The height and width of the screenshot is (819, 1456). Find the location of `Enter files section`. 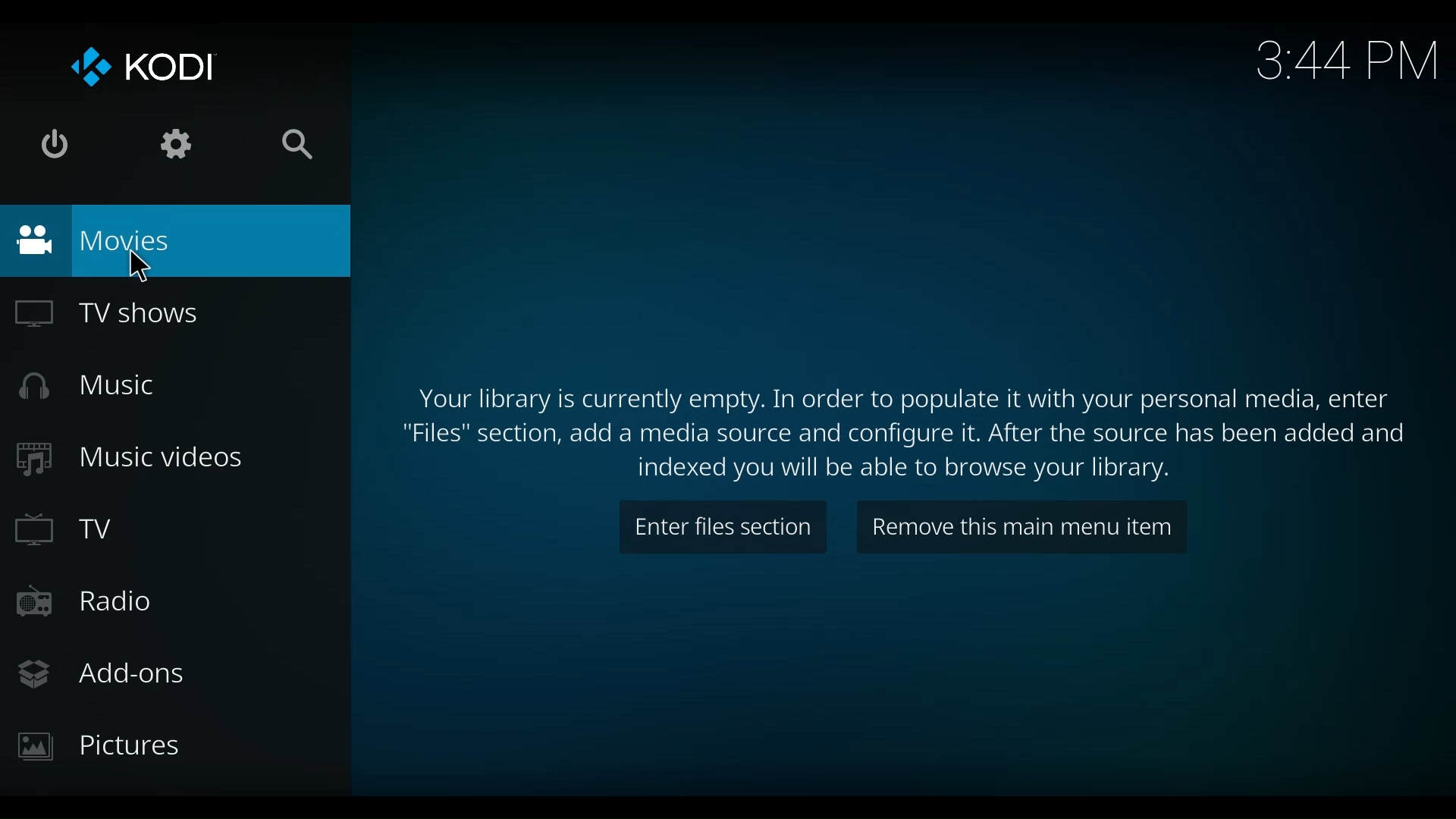

Enter files section is located at coordinates (722, 528).